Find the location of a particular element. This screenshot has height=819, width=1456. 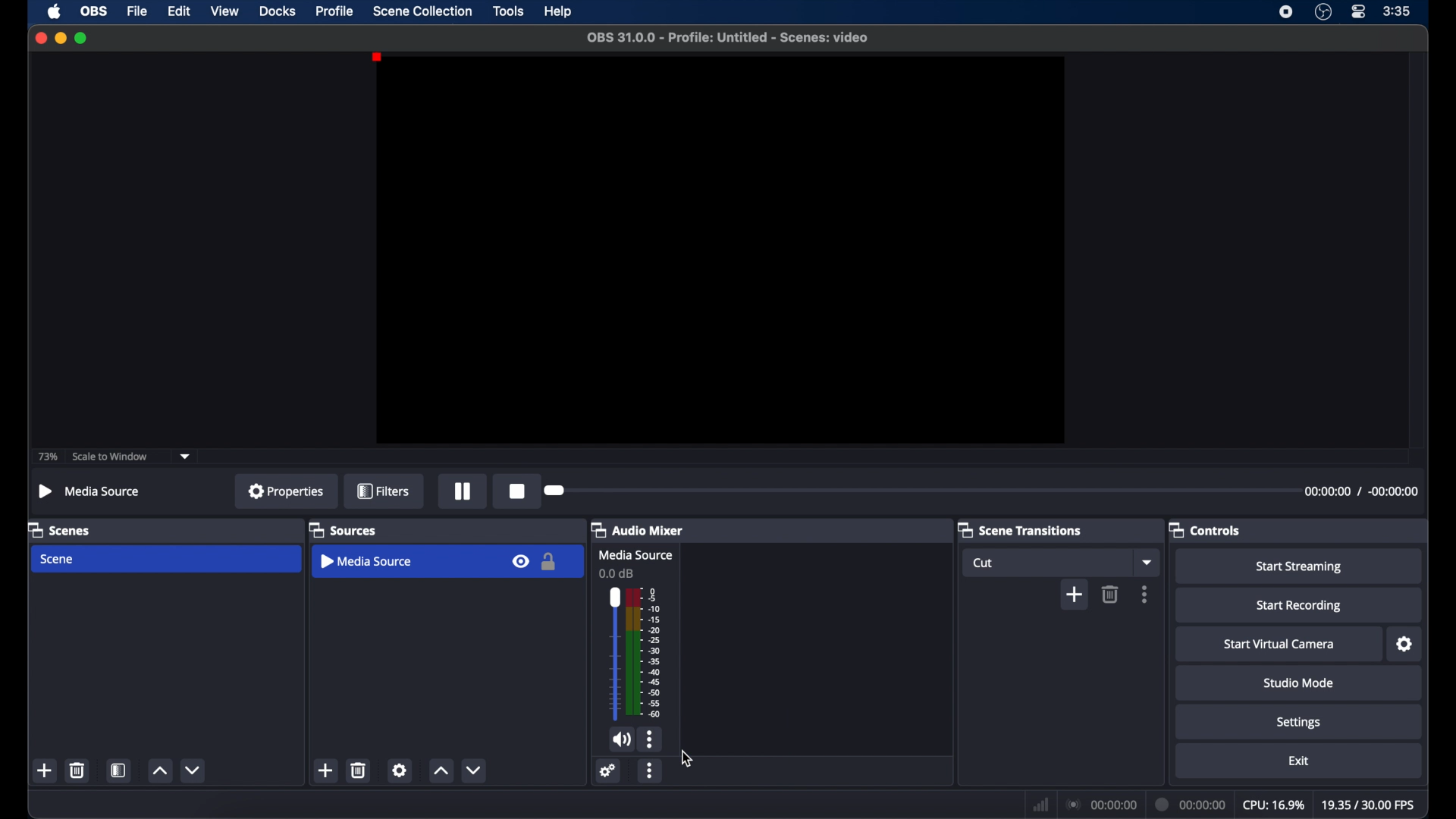

add is located at coordinates (326, 770).